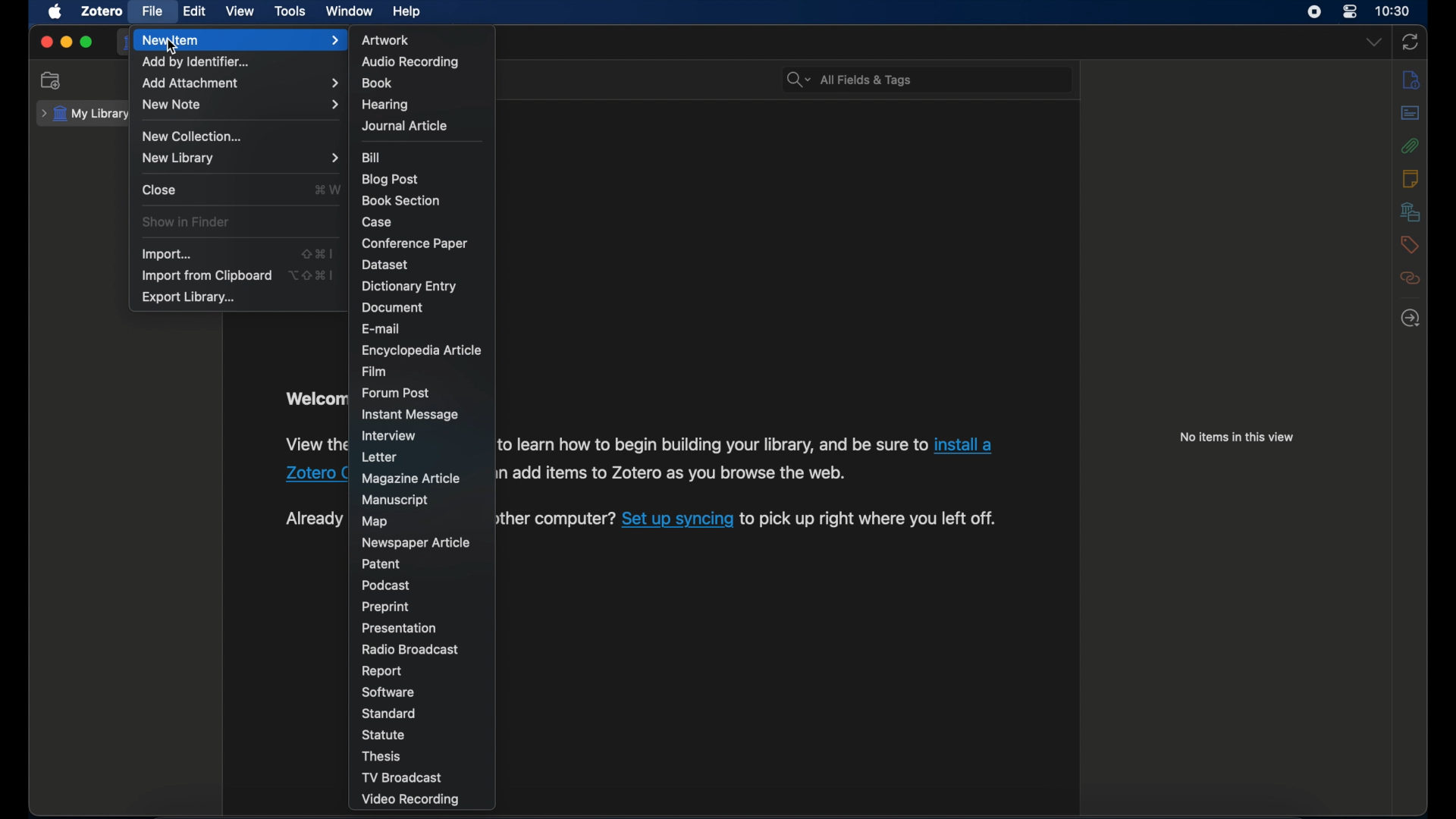 The height and width of the screenshot is (819, 1456). Describe the element at coordinates (423, 350) in the screenshot. I see `encyclopedia article` at that location.